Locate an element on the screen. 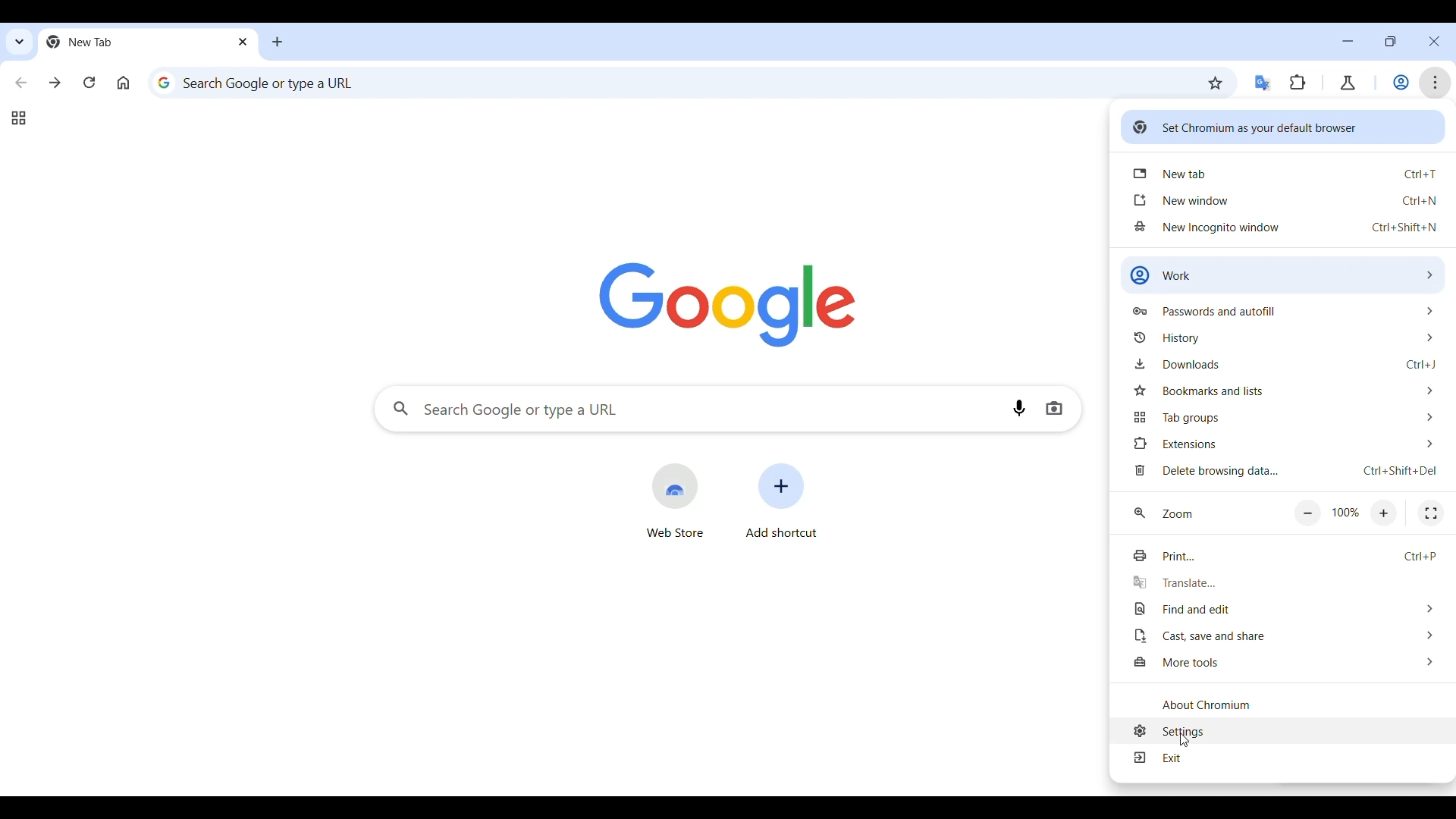 Image resolution: width=1456 pixels, height=819 pixels. Reload page is located at coordinates (89, 82).